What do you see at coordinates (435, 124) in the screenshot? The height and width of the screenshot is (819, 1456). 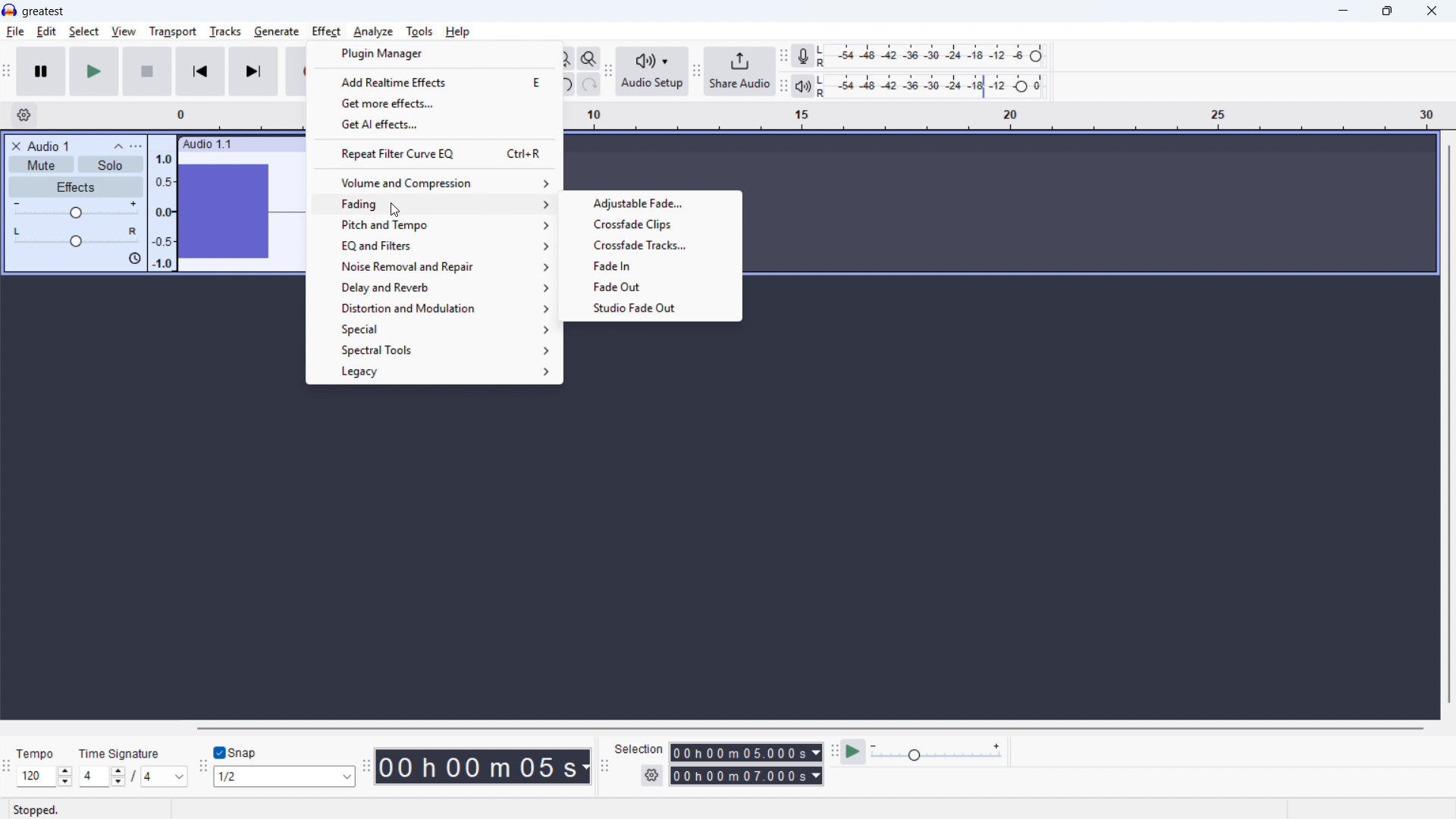 I see `Get AI effects ` at bounding box center [435, 124].